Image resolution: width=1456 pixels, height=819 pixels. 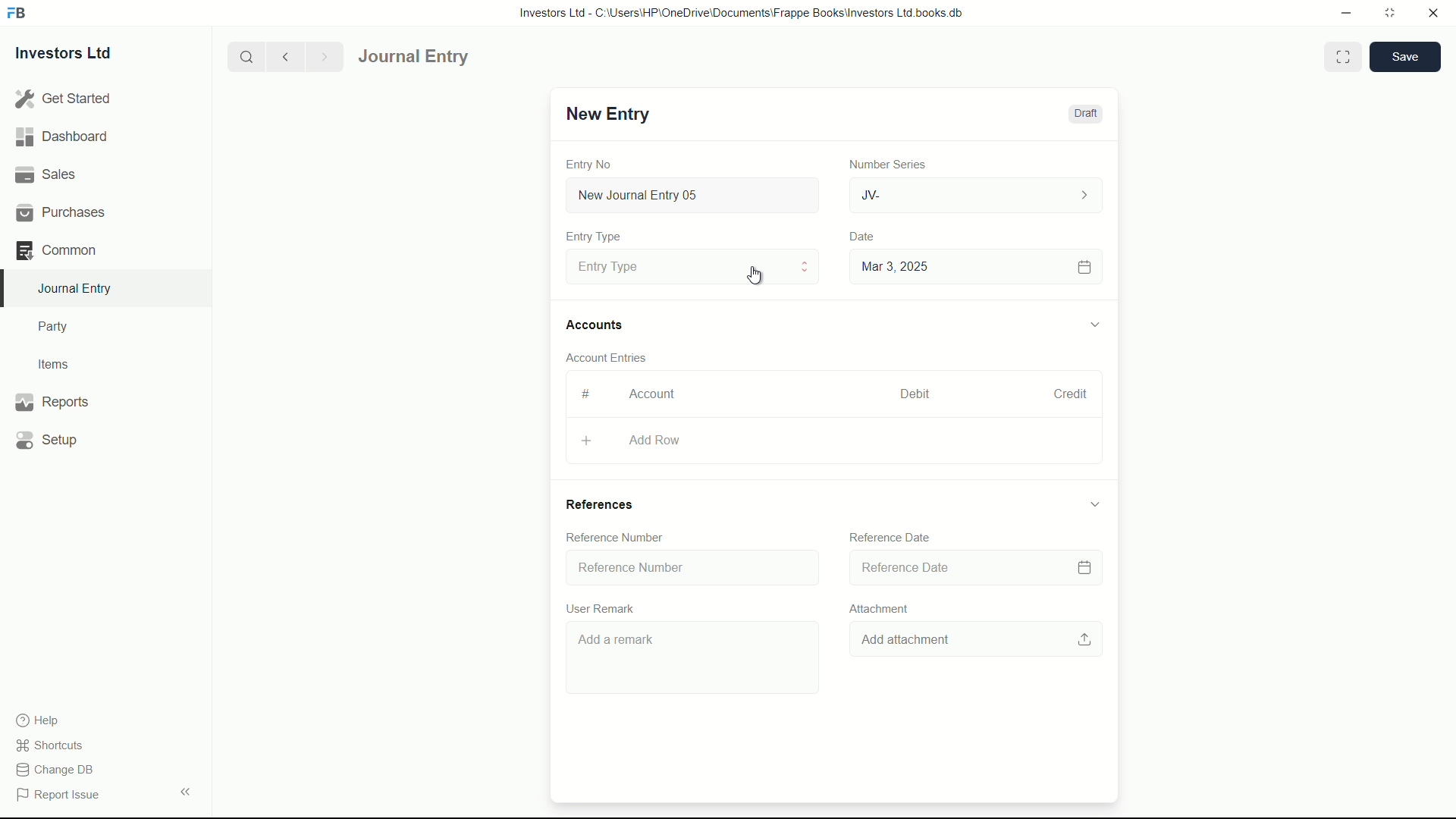 What do you see at coordinates (613, 355) in the screenshot?
I see `Account Entries` at bounding box center [613, 355].